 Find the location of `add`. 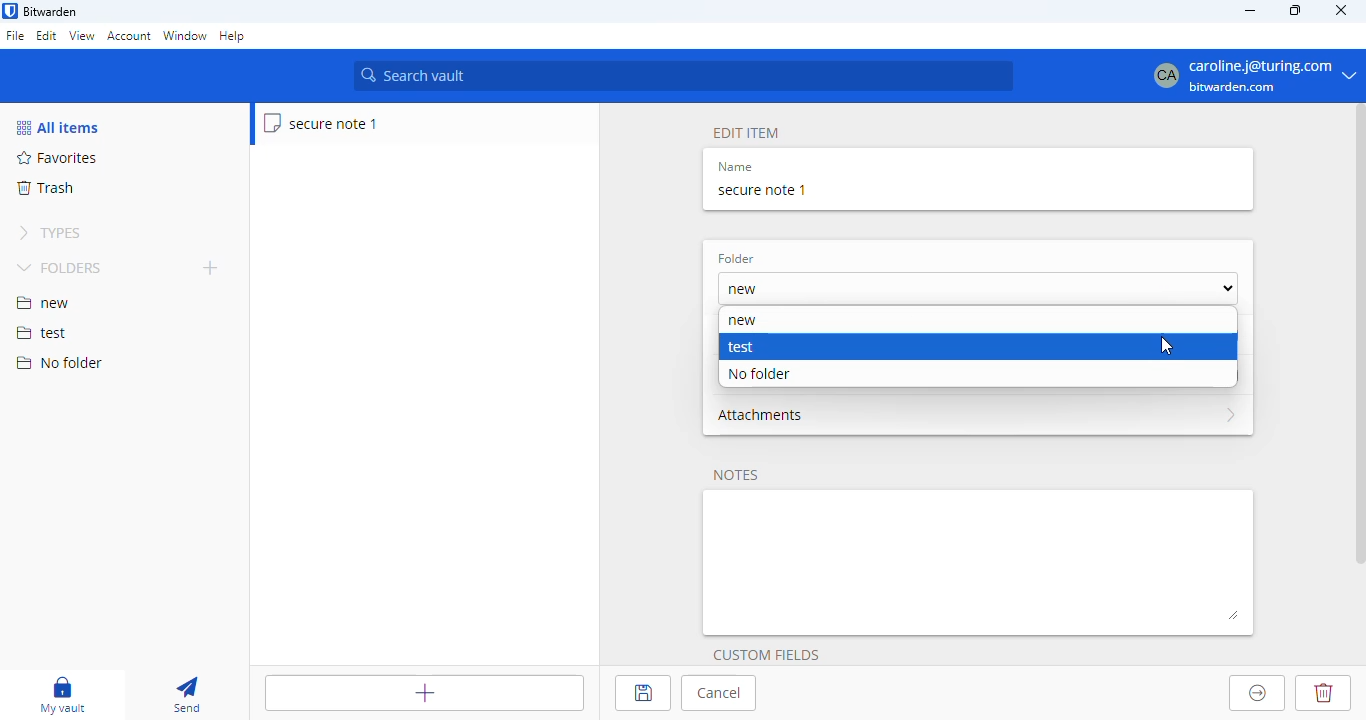

add is located at coordinates (211, 267).